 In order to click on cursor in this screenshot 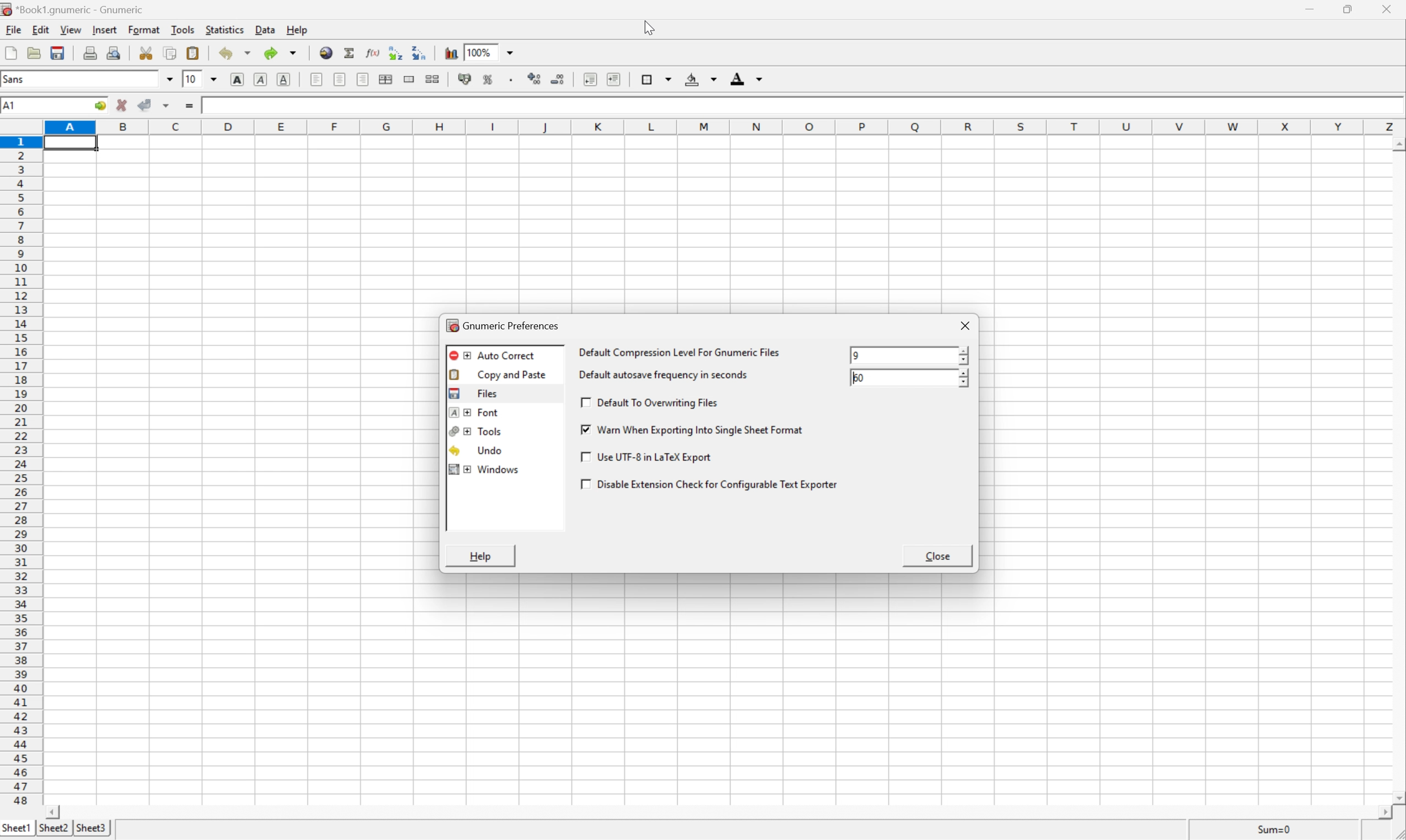, I will do `click(648, 27)`.